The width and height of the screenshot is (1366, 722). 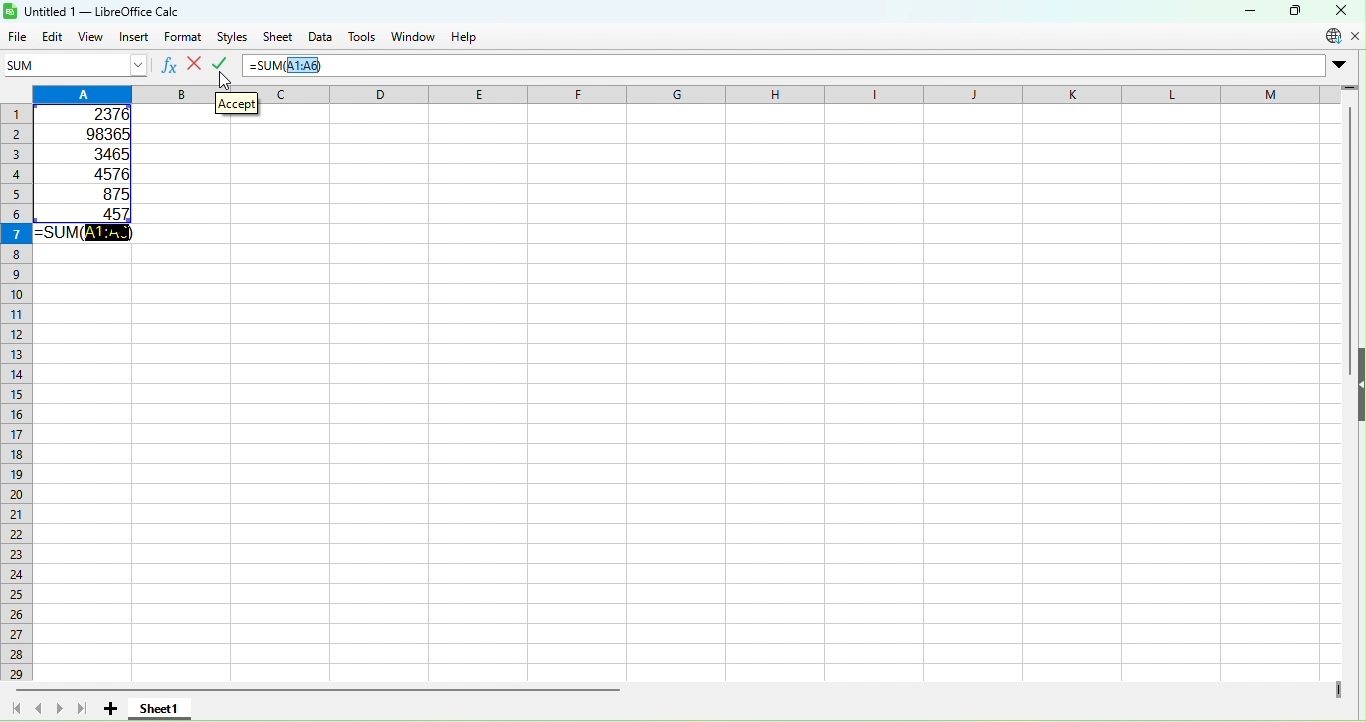 What do you see at coordinates (53, 38) in the screenshot?
I see `Edit` at bounding box center [53, 38].